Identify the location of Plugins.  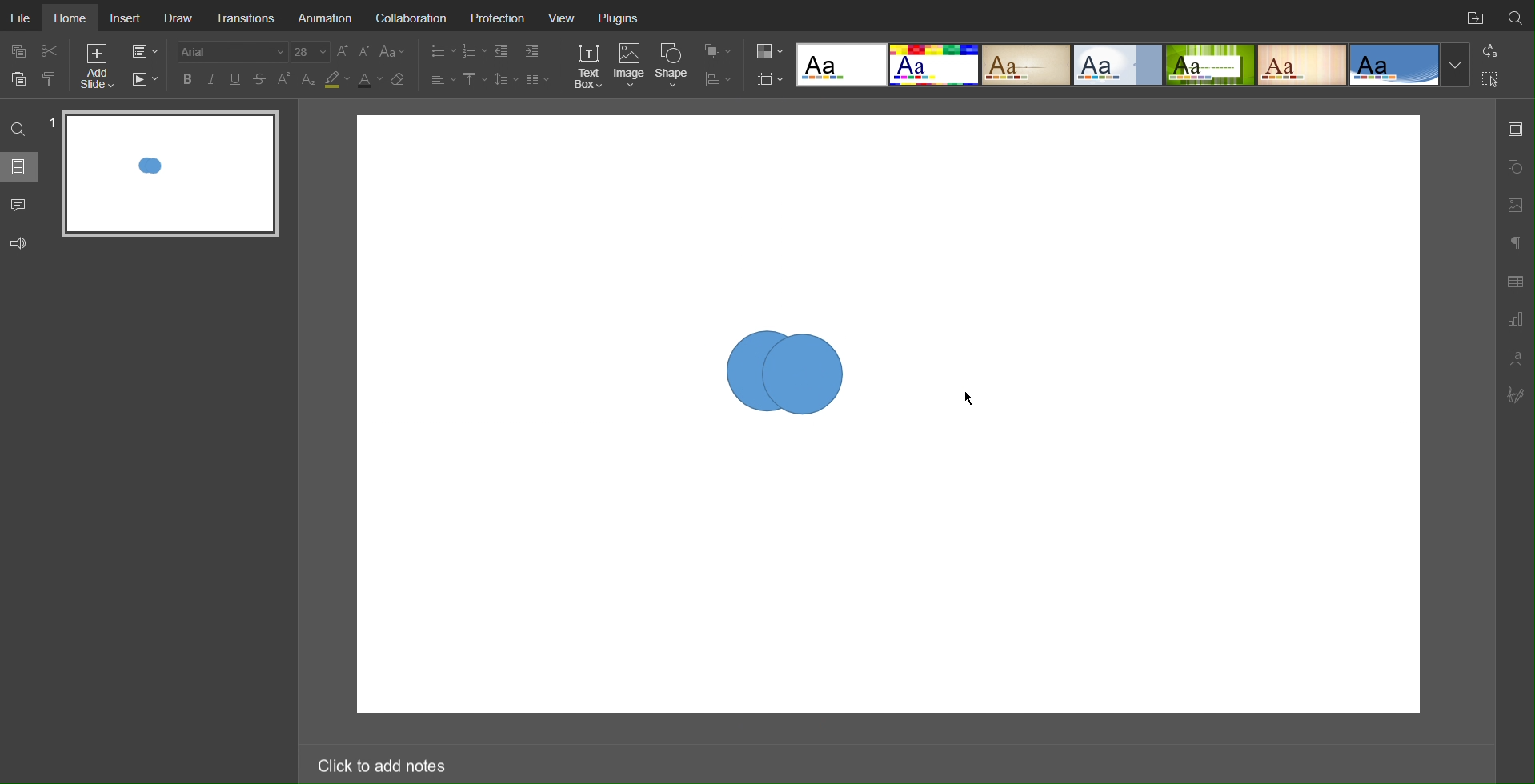
(620, 19).